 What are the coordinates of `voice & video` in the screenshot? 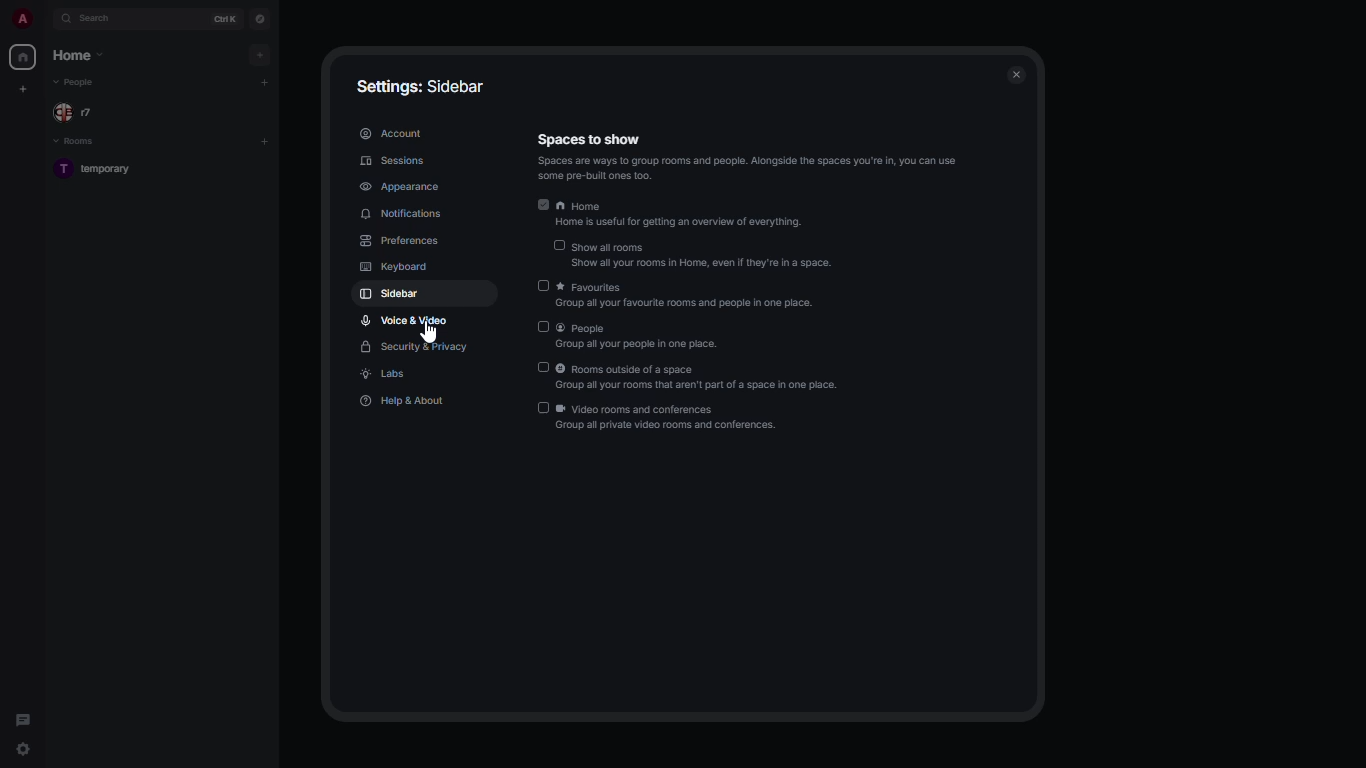 It's located at (406, 320).